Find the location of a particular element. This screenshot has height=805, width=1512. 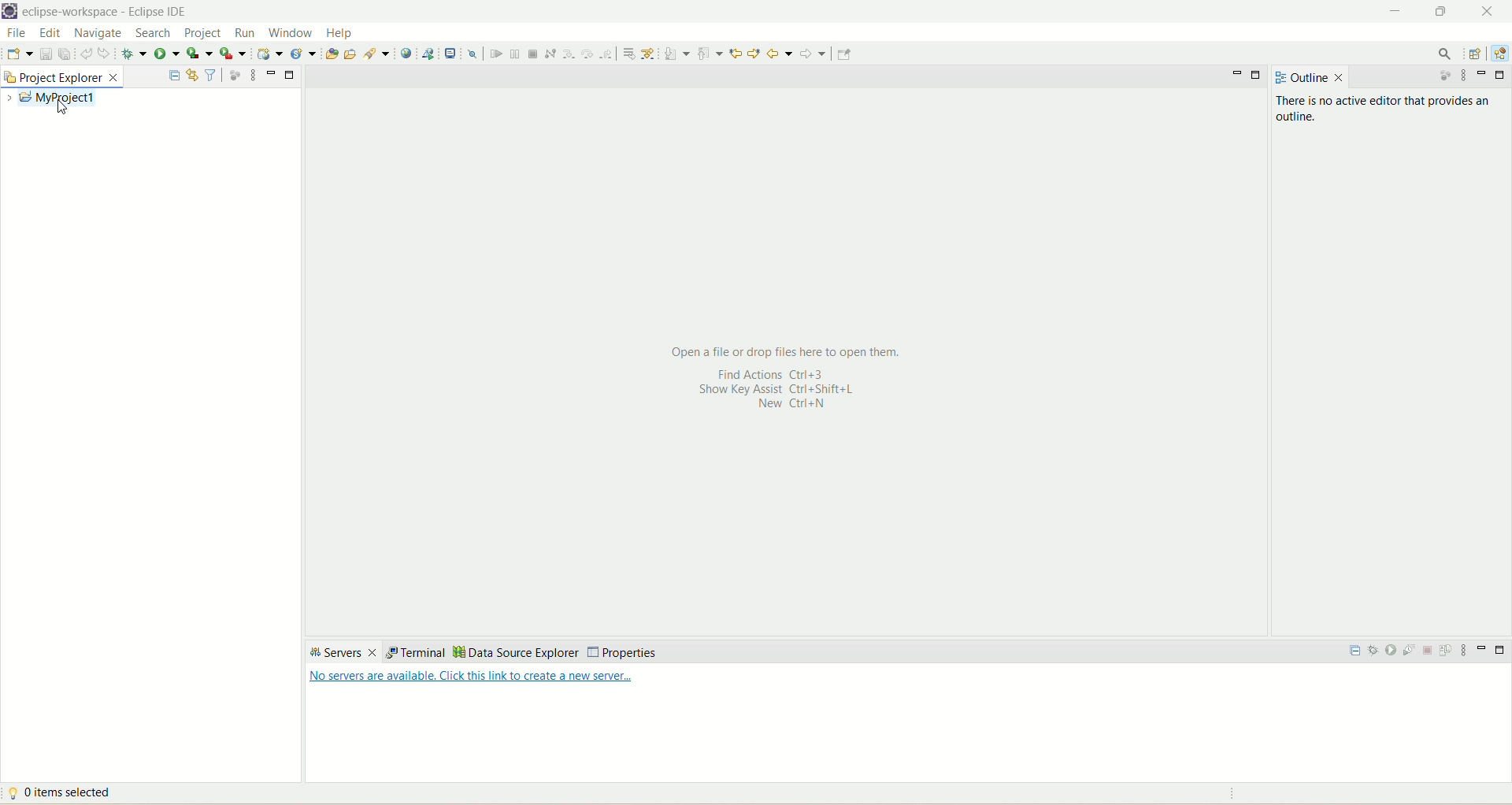

there is no active editor that provides an outline is located at coordinates (1388, 109).